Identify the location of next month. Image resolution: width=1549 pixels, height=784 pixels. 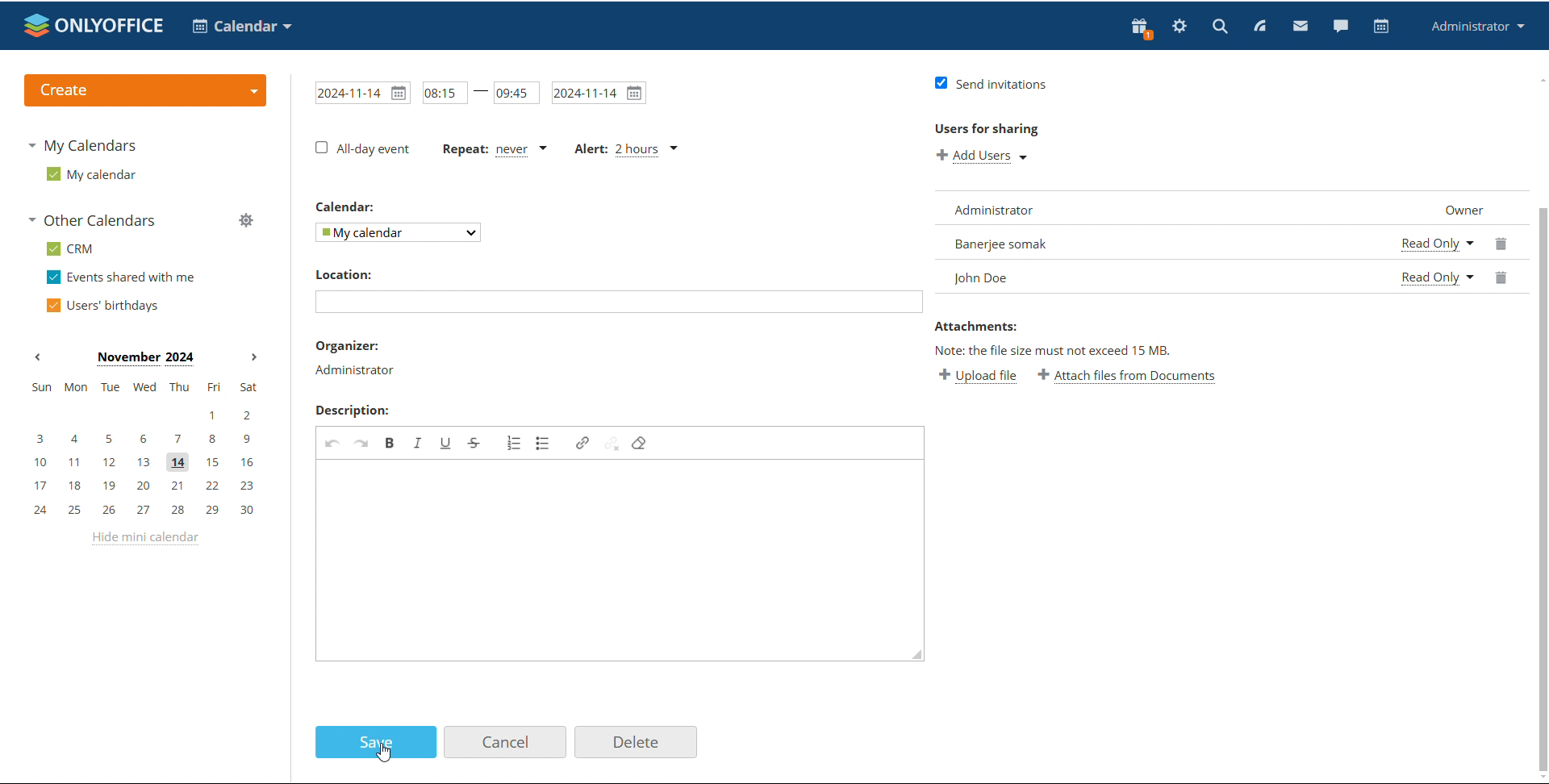
(254, 358).